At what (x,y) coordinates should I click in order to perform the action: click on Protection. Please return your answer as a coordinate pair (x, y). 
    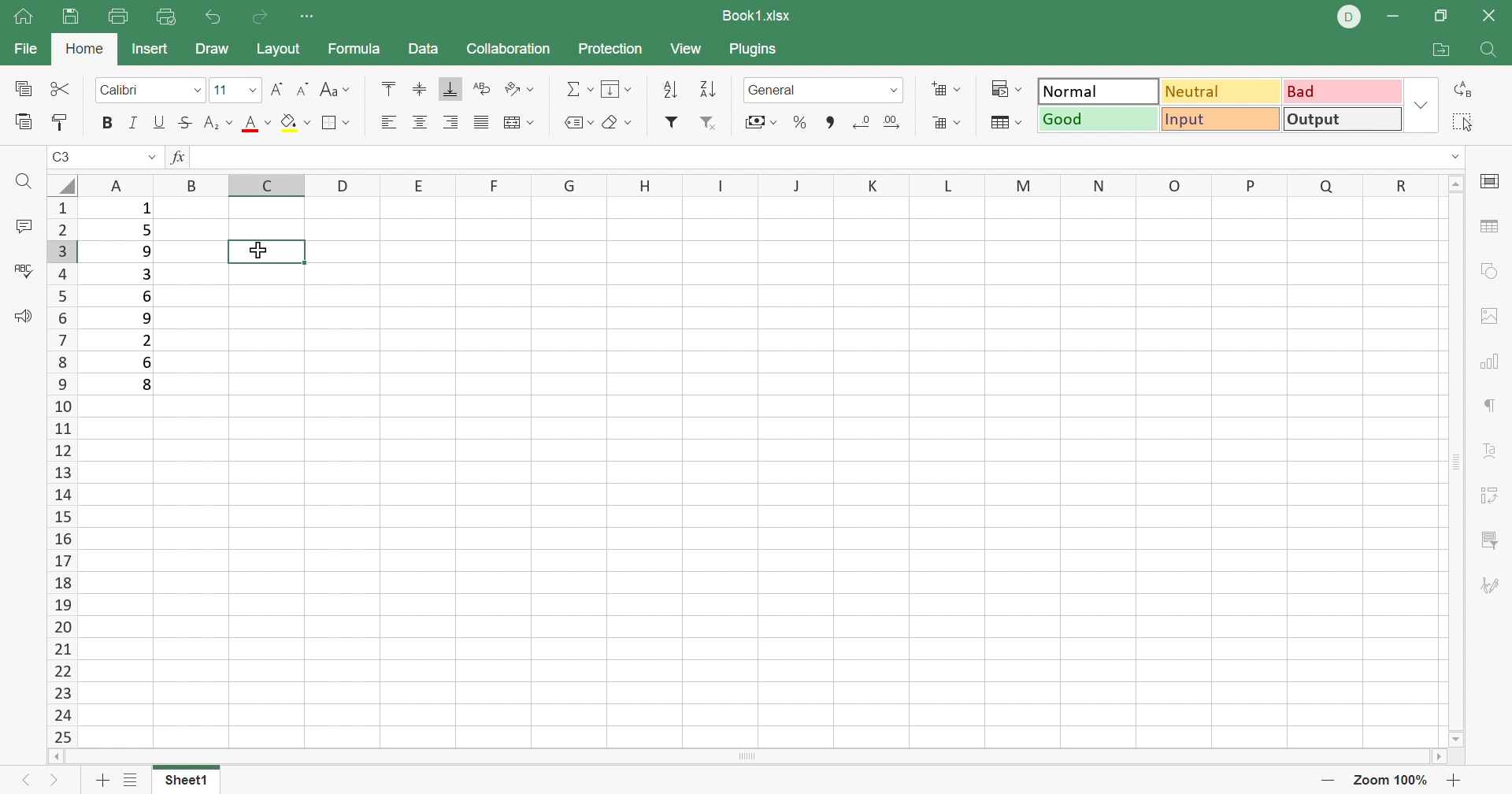
    Looking at the image, I should click on (613, 50).